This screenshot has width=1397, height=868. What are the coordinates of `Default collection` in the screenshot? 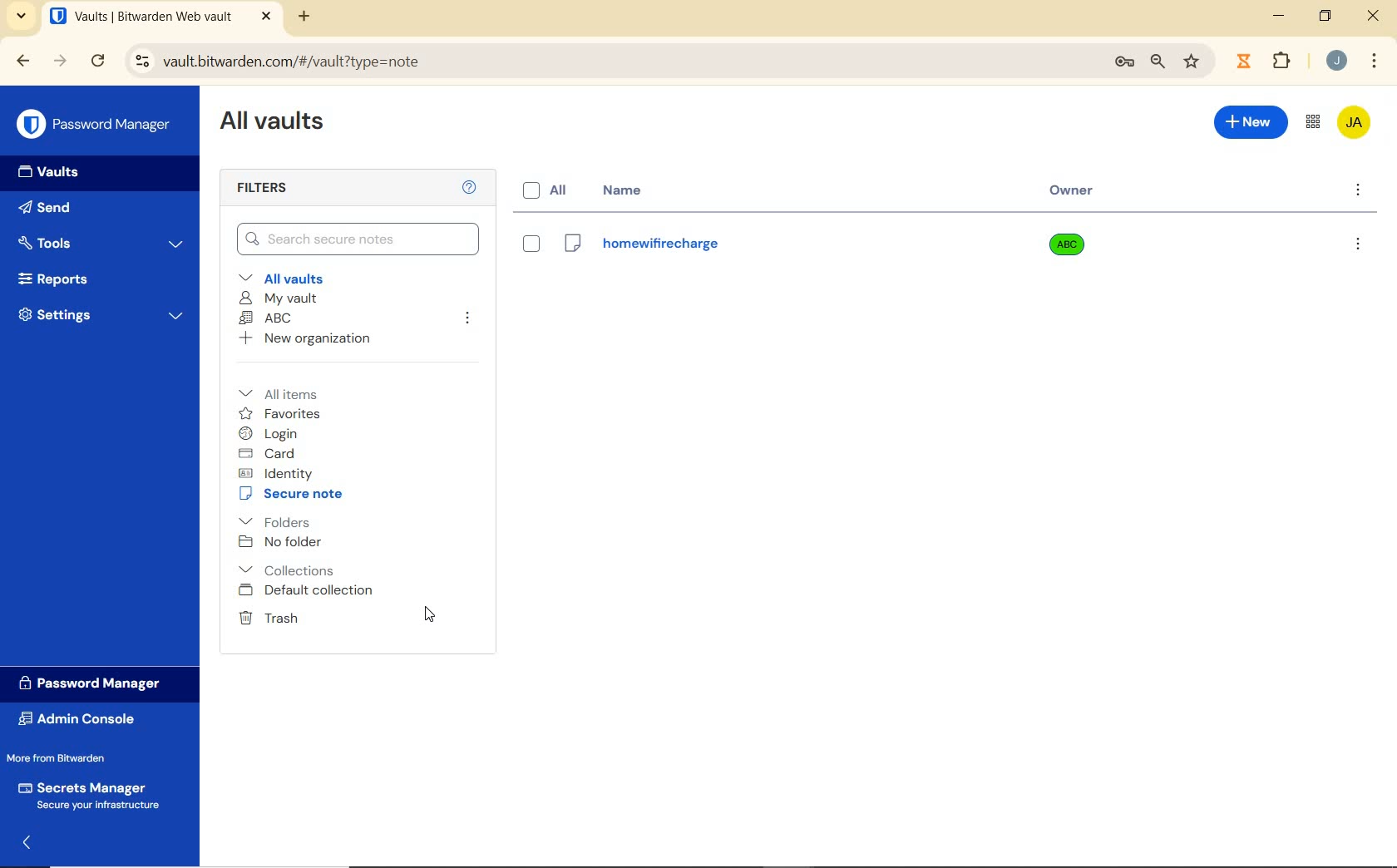 It's located at (308, 591).